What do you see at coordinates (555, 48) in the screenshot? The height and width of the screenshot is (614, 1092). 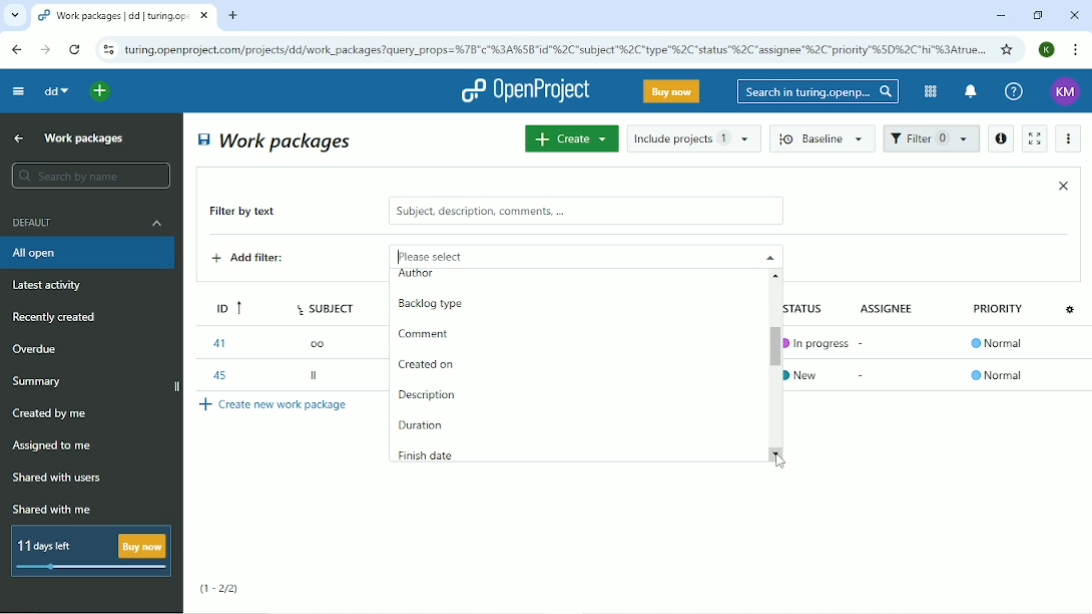 I see `Site address` at bounding box center [555, 48].